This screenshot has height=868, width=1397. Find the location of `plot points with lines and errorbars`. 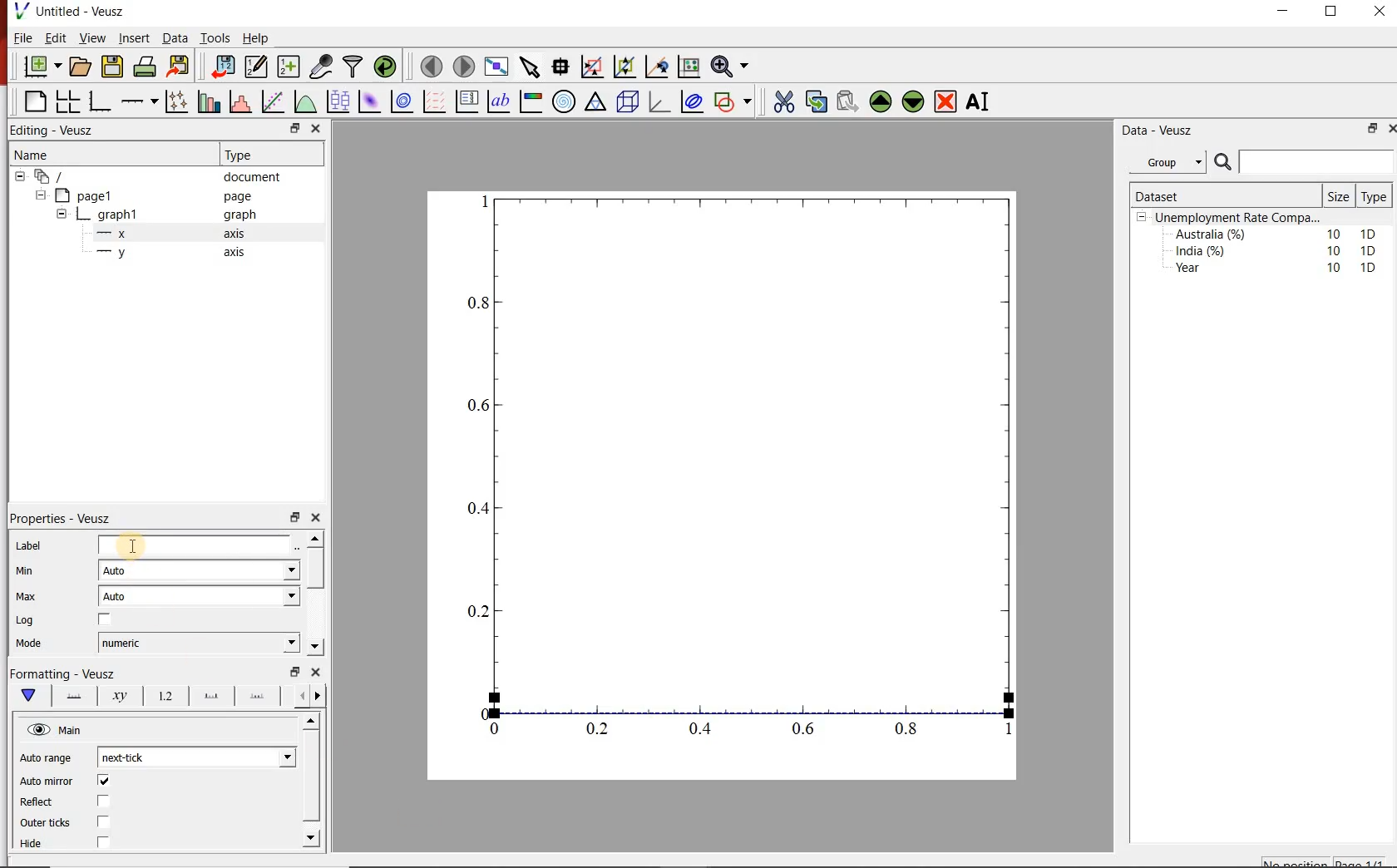

plot points with lines and errorbars is located at coordinates (176, 101).